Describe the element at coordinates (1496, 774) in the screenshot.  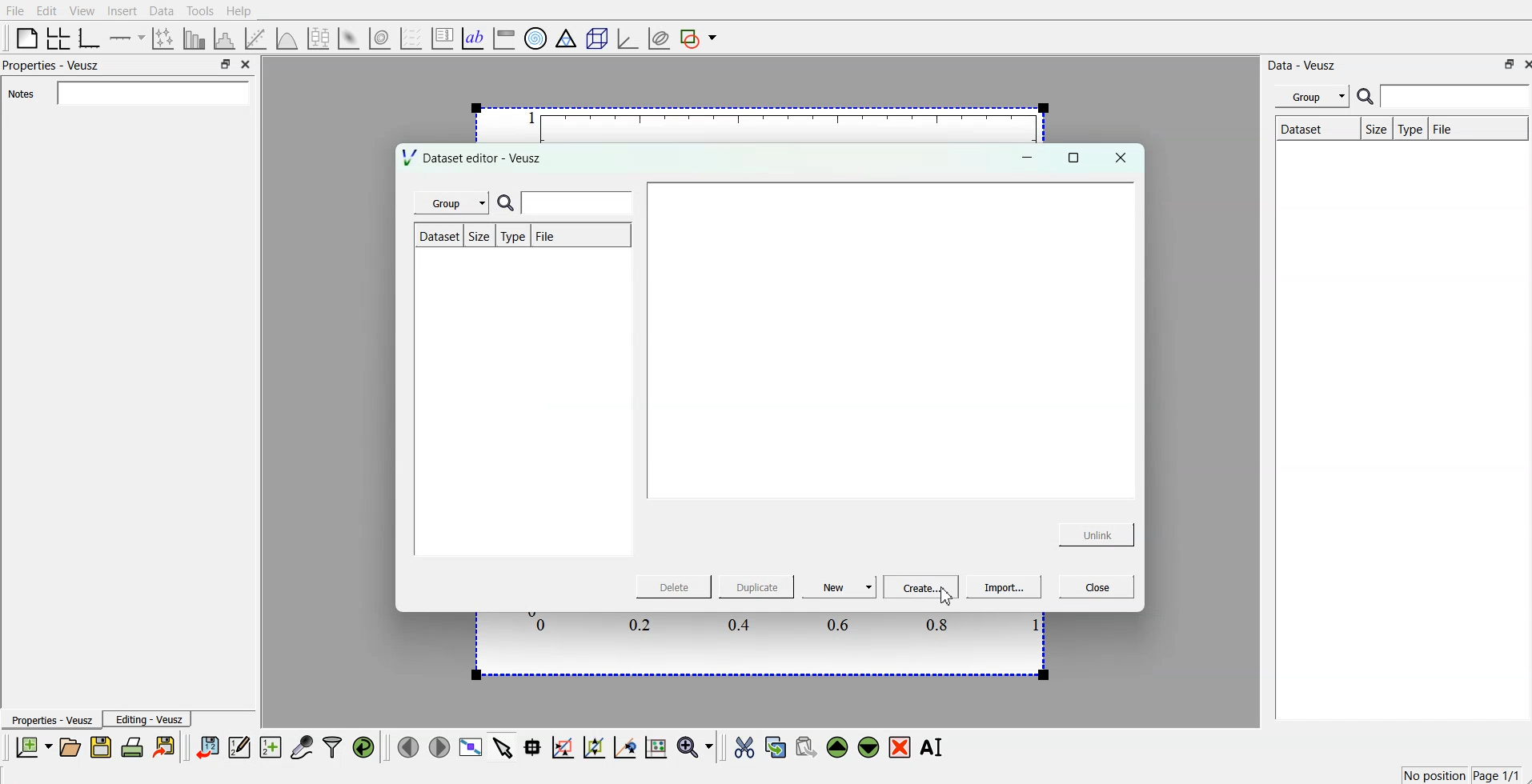
I see `Page 1/1 ` at that location.